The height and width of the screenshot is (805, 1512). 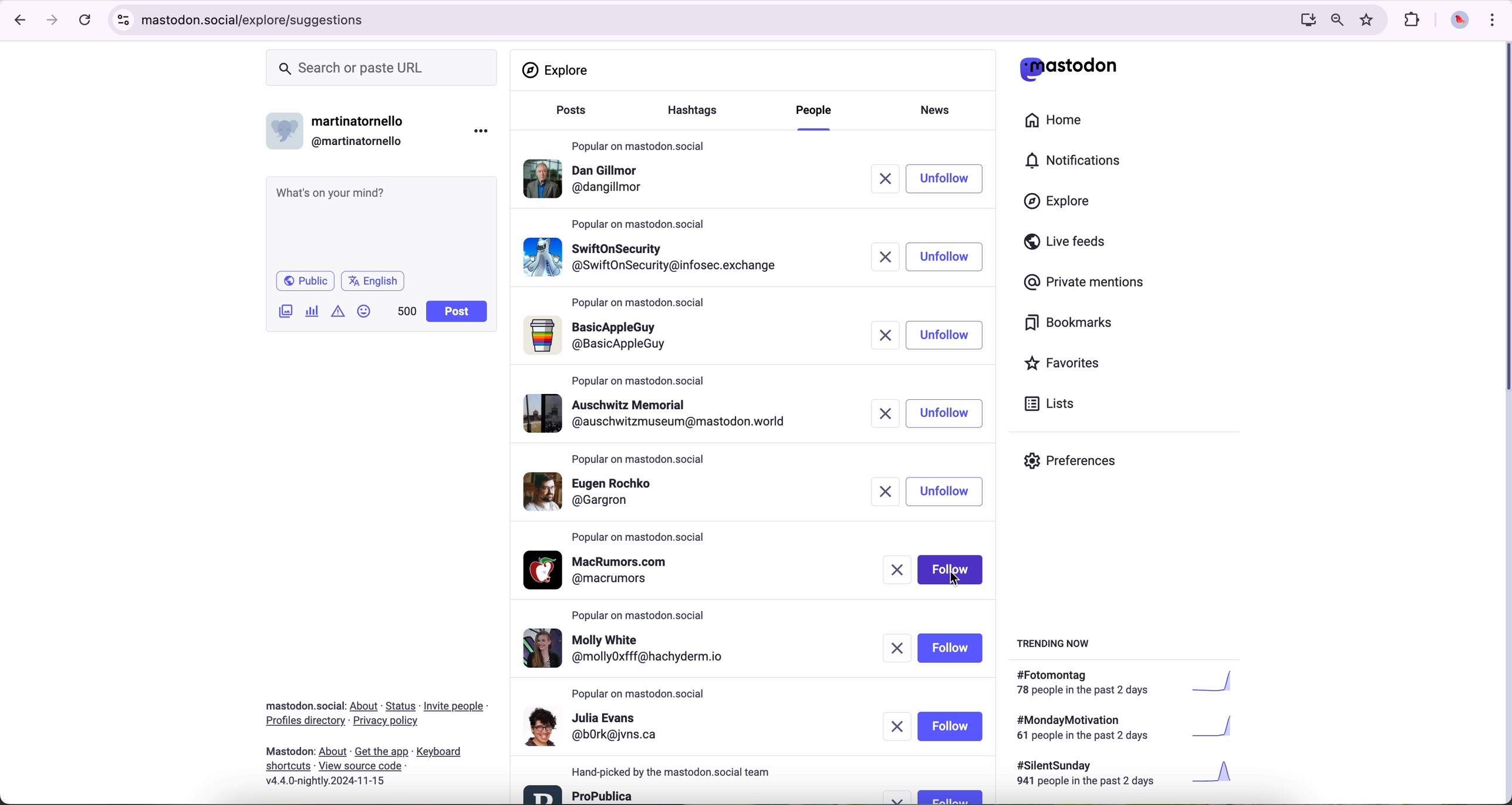 I want to click on what's on your mind?, so click(x=380, y=221).